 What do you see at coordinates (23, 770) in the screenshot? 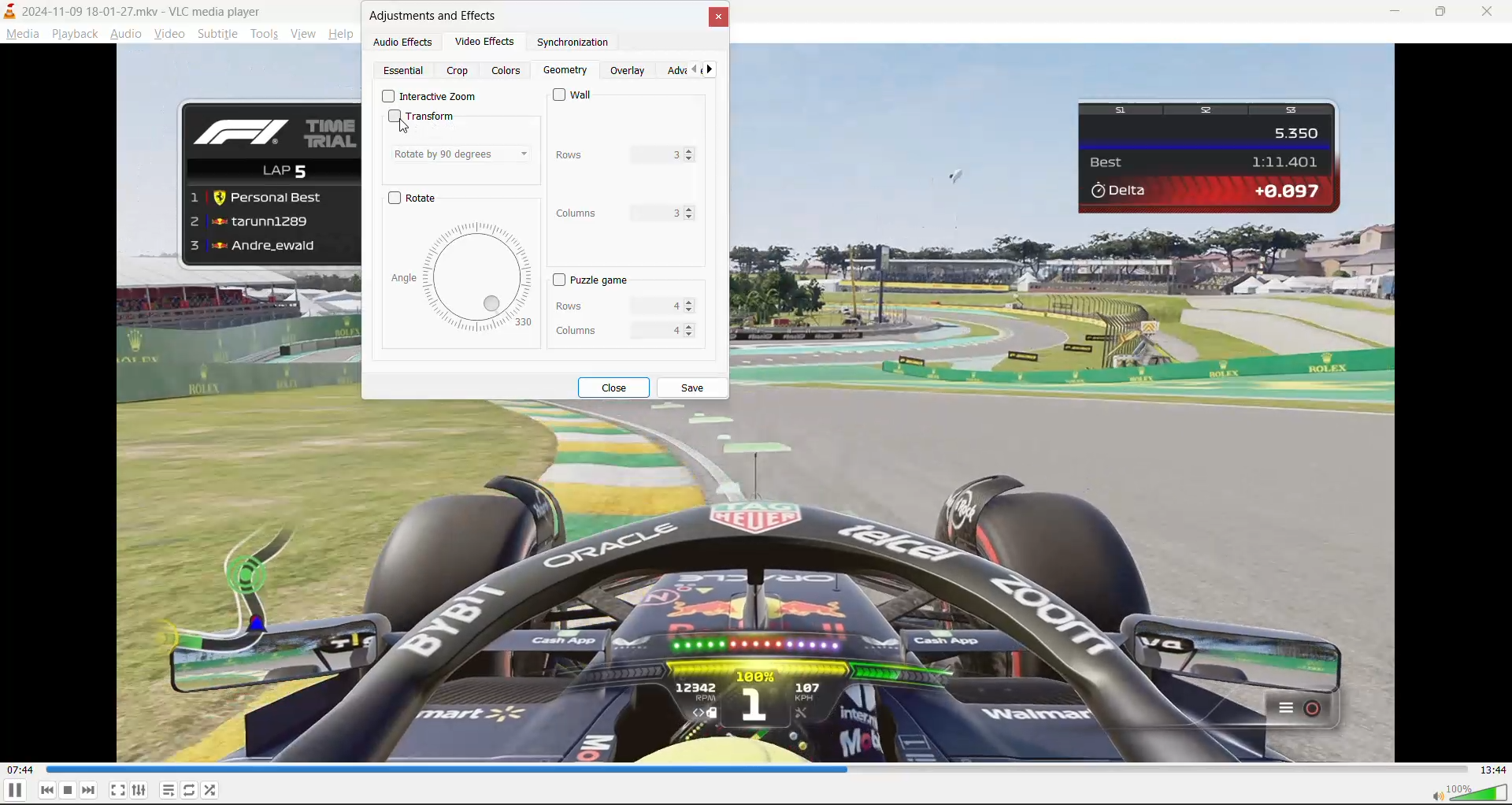
I see `current track time` at bounding box center [23, 770].